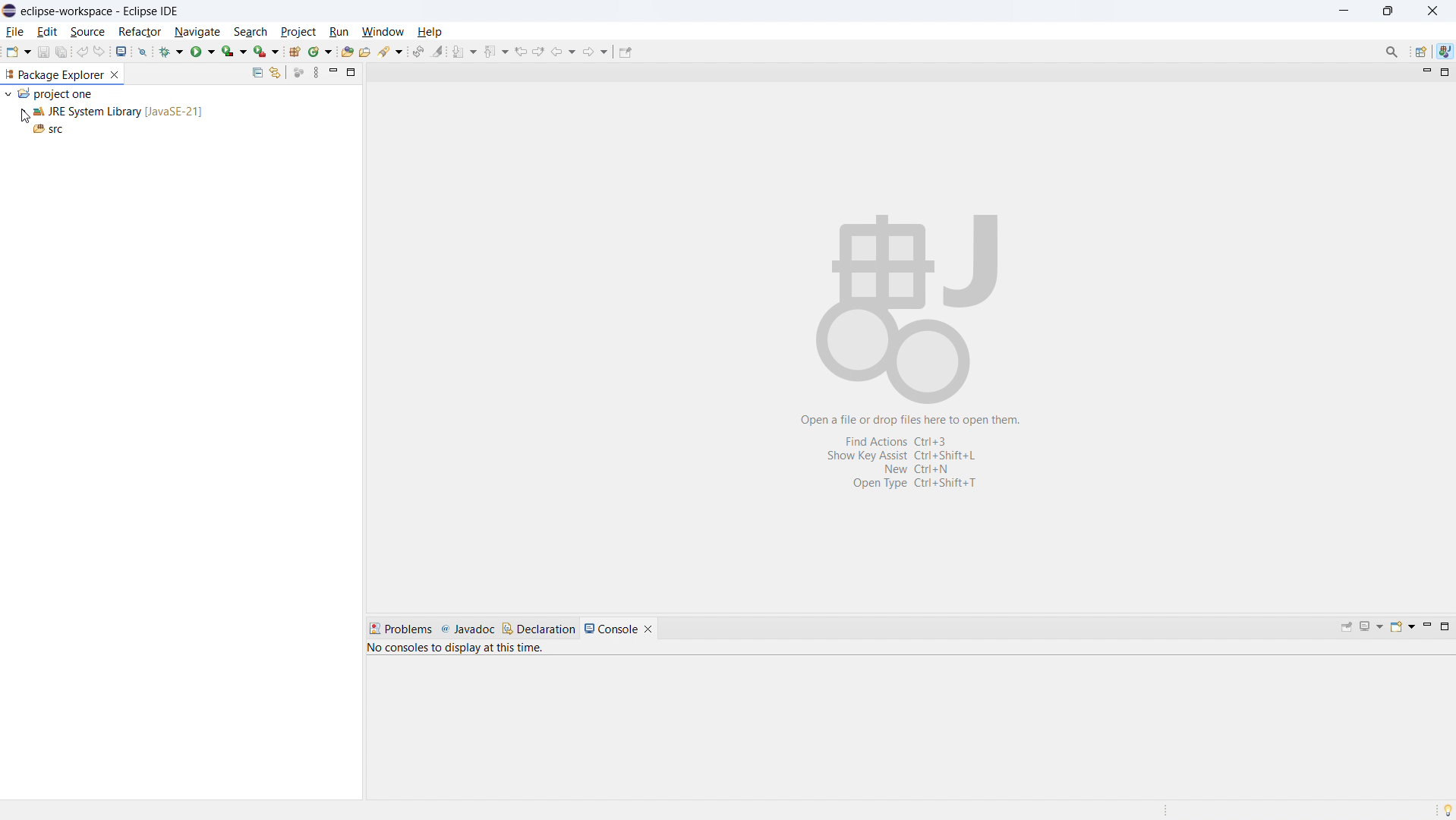 The width and height of the screenshot is (1456, 820). I want to click on New java package, so click(293, 50).